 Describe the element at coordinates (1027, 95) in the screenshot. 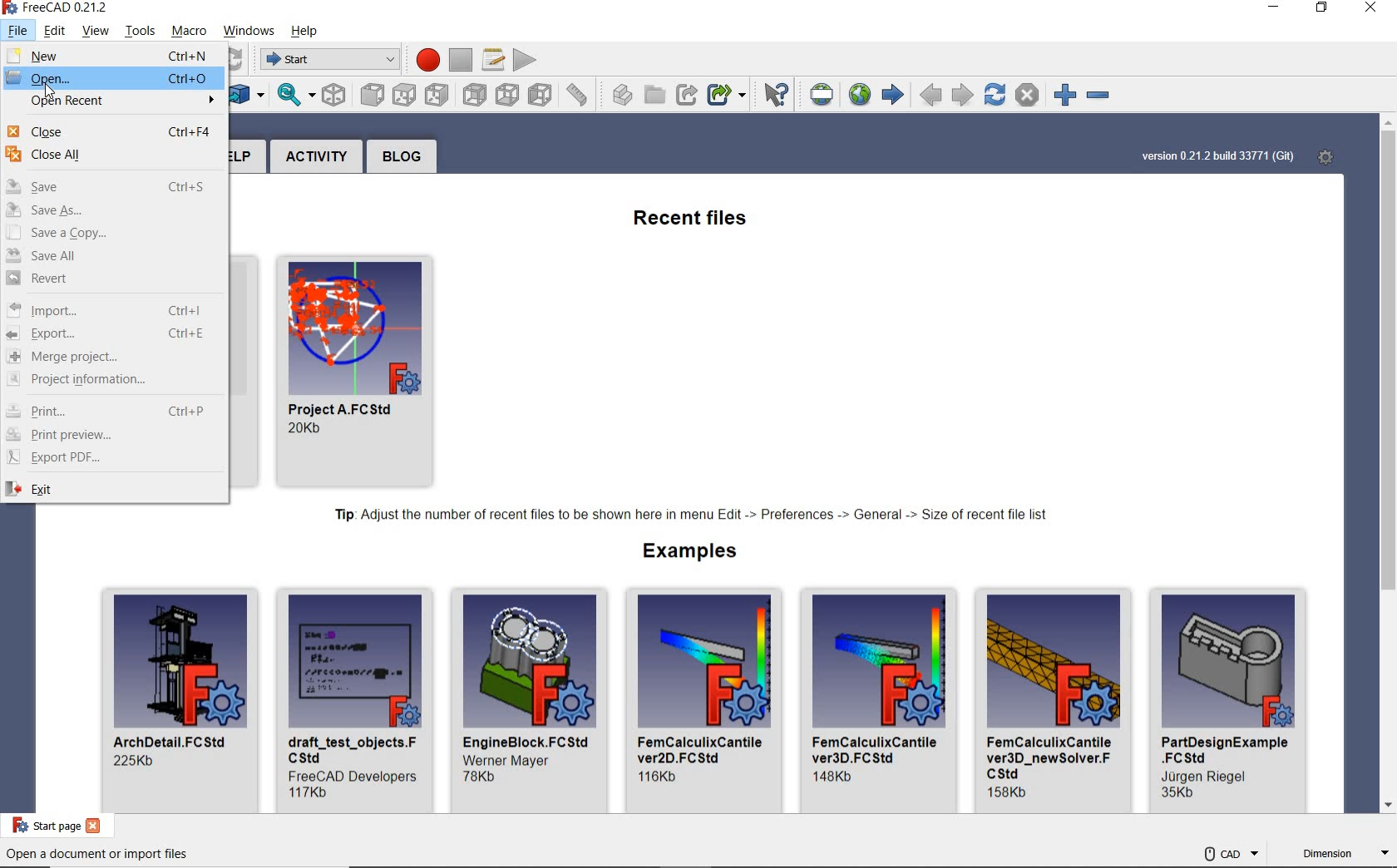

I see `STOP LOADING` at that location.